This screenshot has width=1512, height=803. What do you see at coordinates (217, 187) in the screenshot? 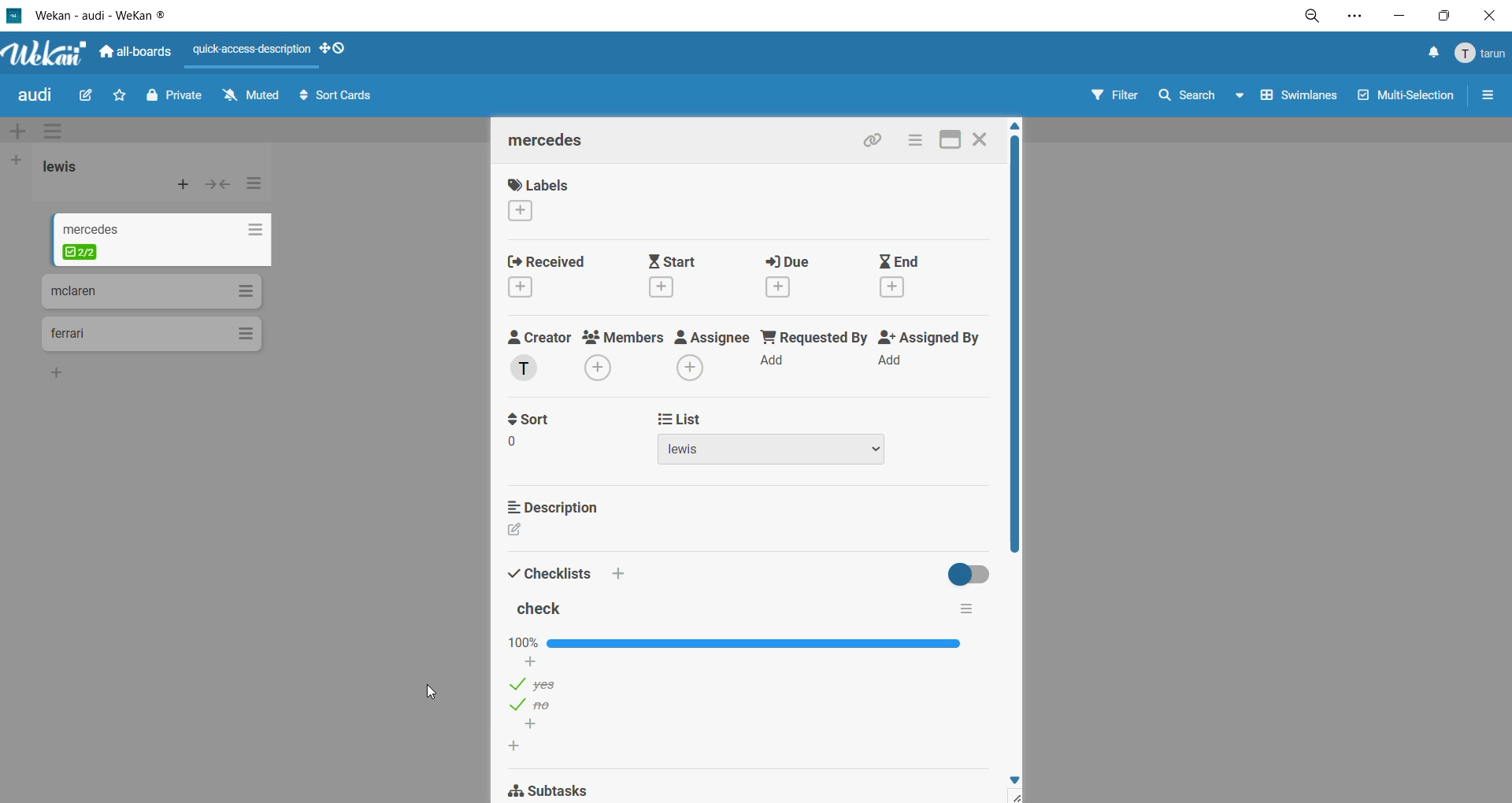
I see `collapse` at bounding box center [217, 187].